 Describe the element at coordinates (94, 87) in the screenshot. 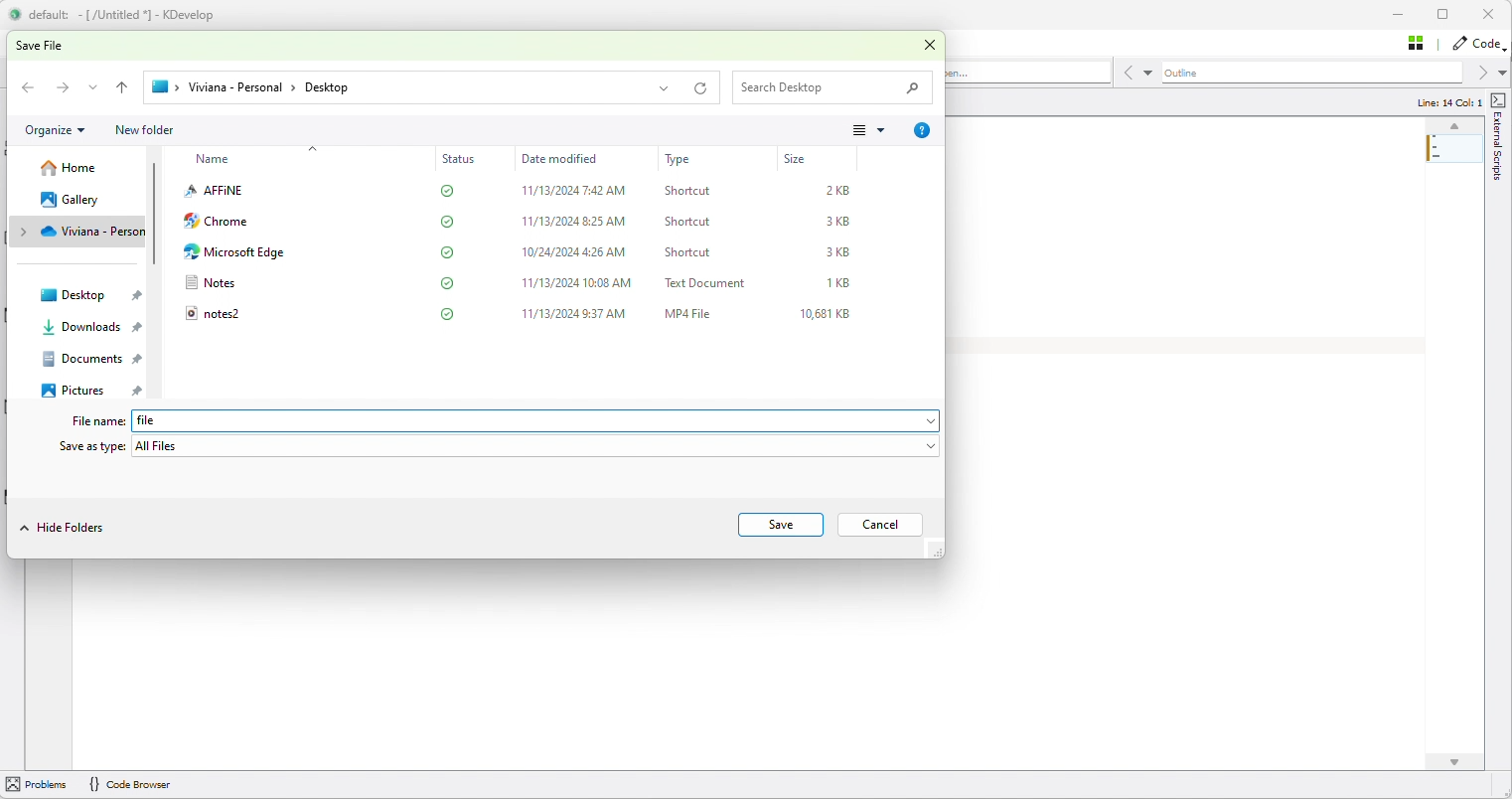

I see `expand` at that location.